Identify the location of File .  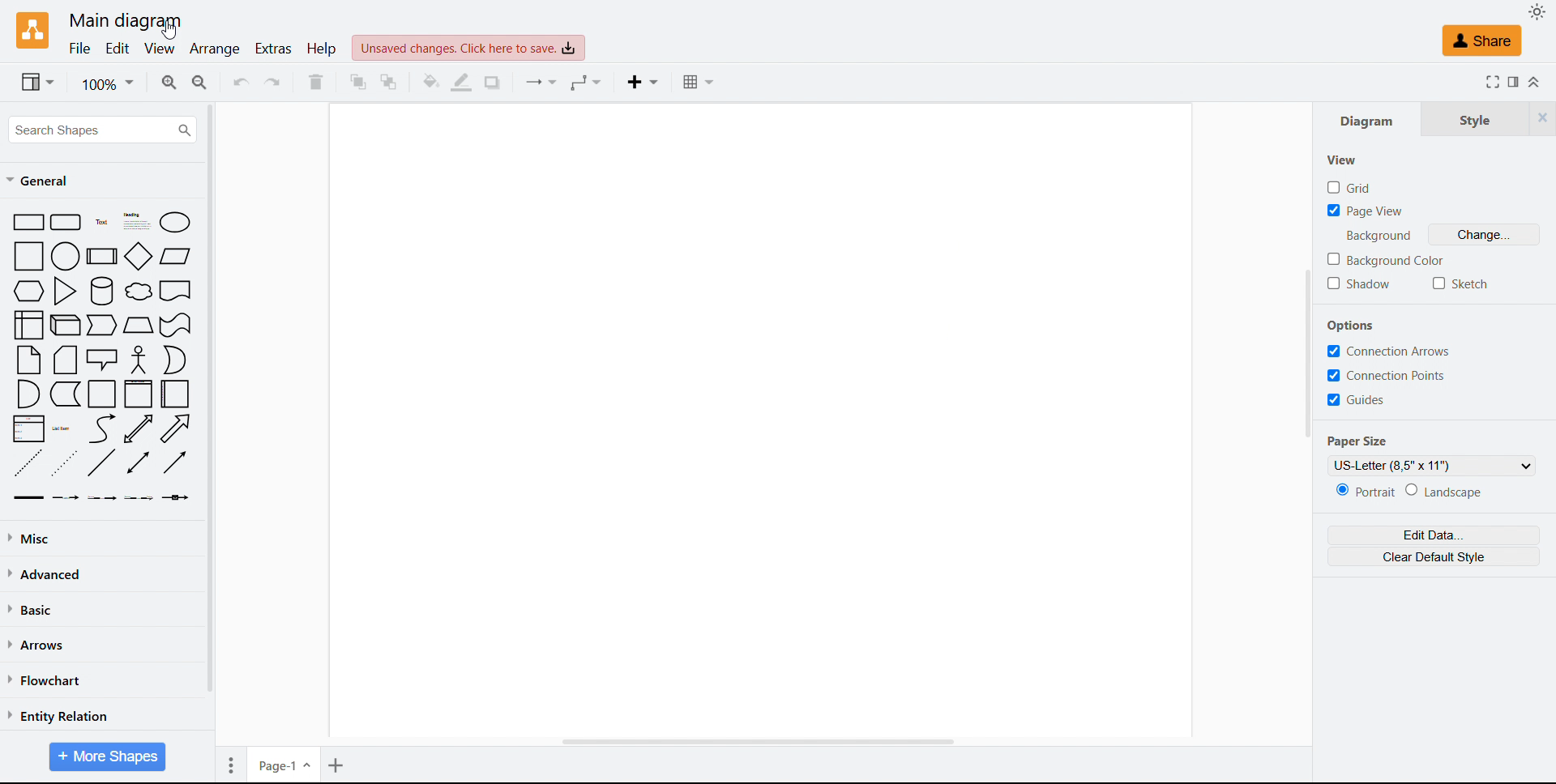
(79, 49).